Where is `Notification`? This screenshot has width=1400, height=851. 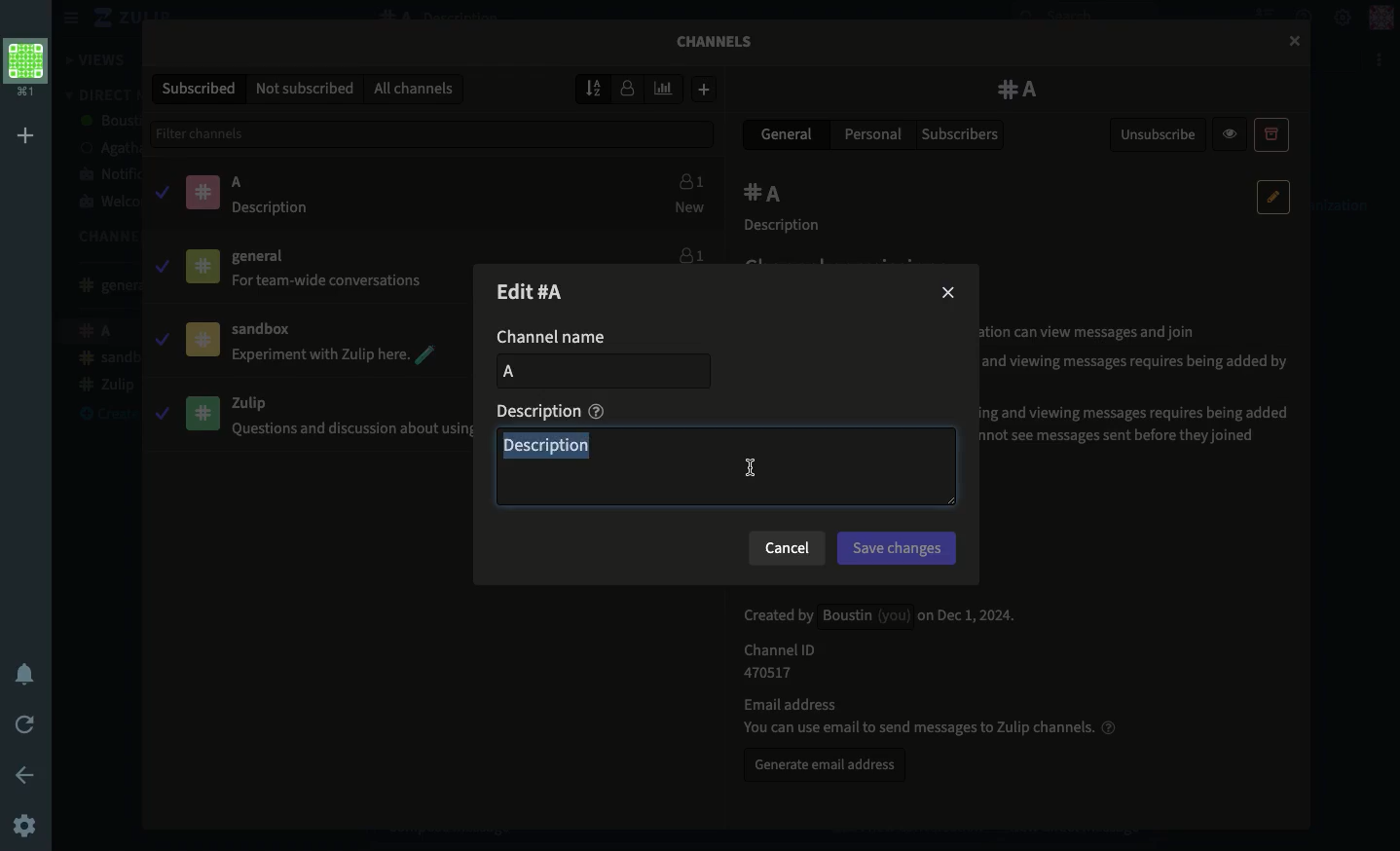
Notification is located at coordinates (25, 676).